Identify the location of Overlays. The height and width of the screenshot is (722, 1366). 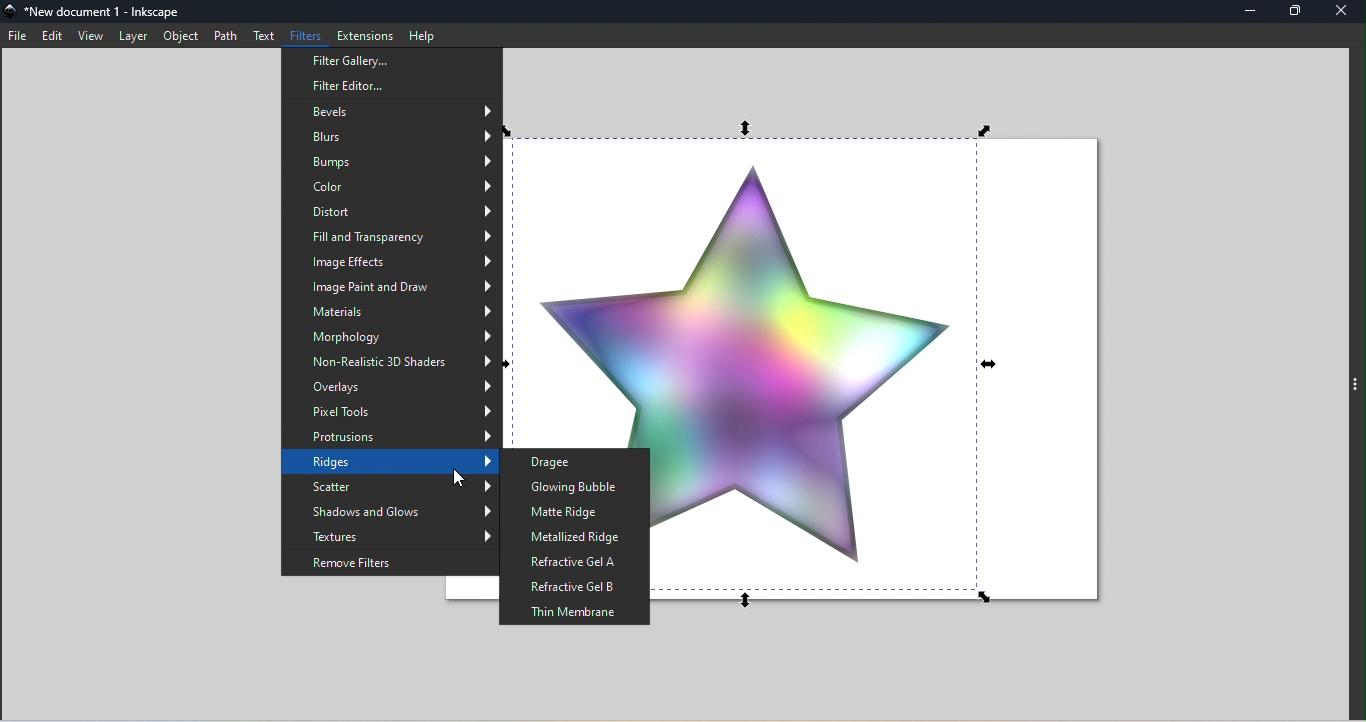
(391, 388).